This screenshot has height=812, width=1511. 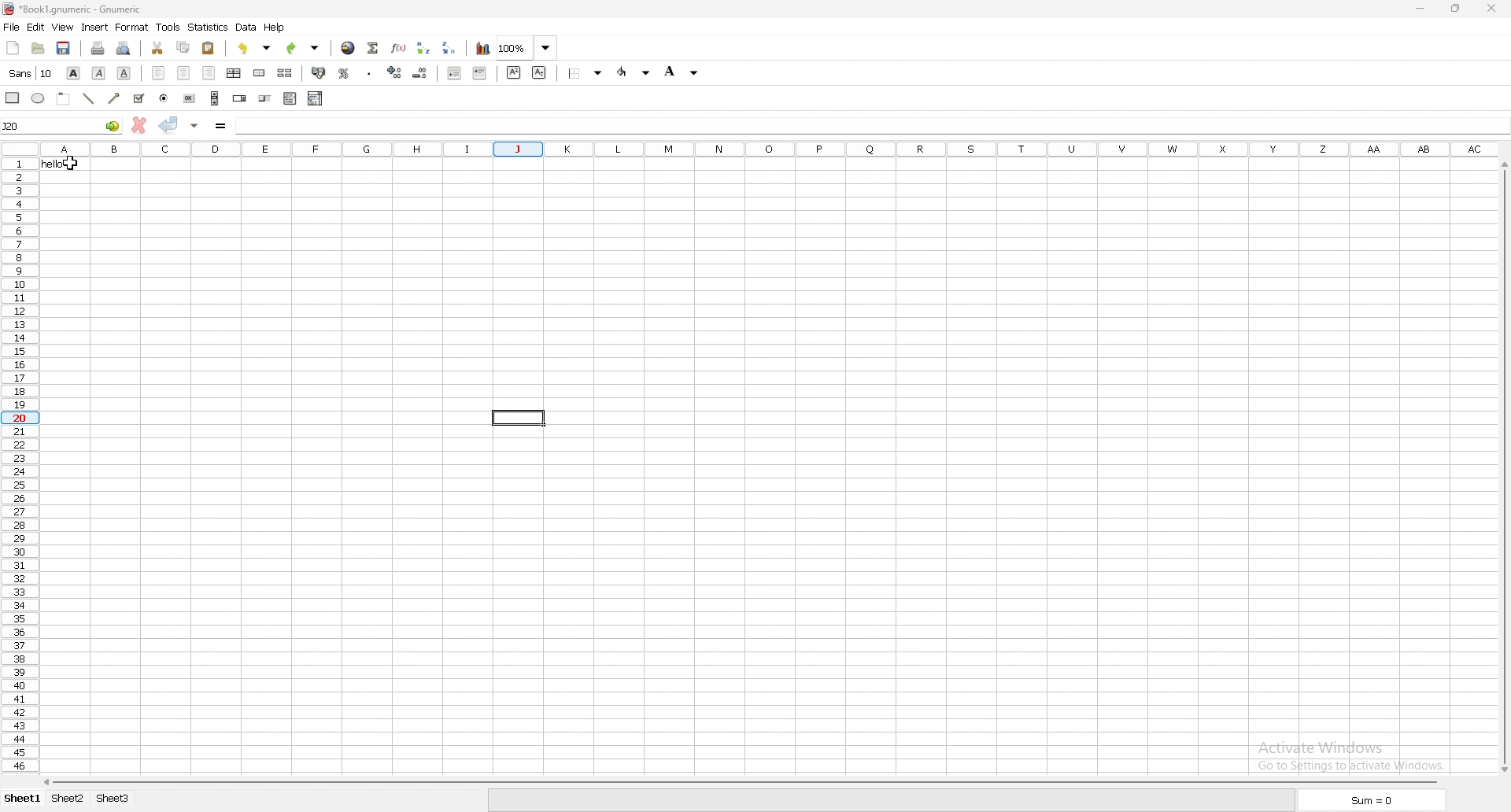 What do you see at coordinates (62, 27) in the screenshot?
I see `view` at bounding box center [62, 27].